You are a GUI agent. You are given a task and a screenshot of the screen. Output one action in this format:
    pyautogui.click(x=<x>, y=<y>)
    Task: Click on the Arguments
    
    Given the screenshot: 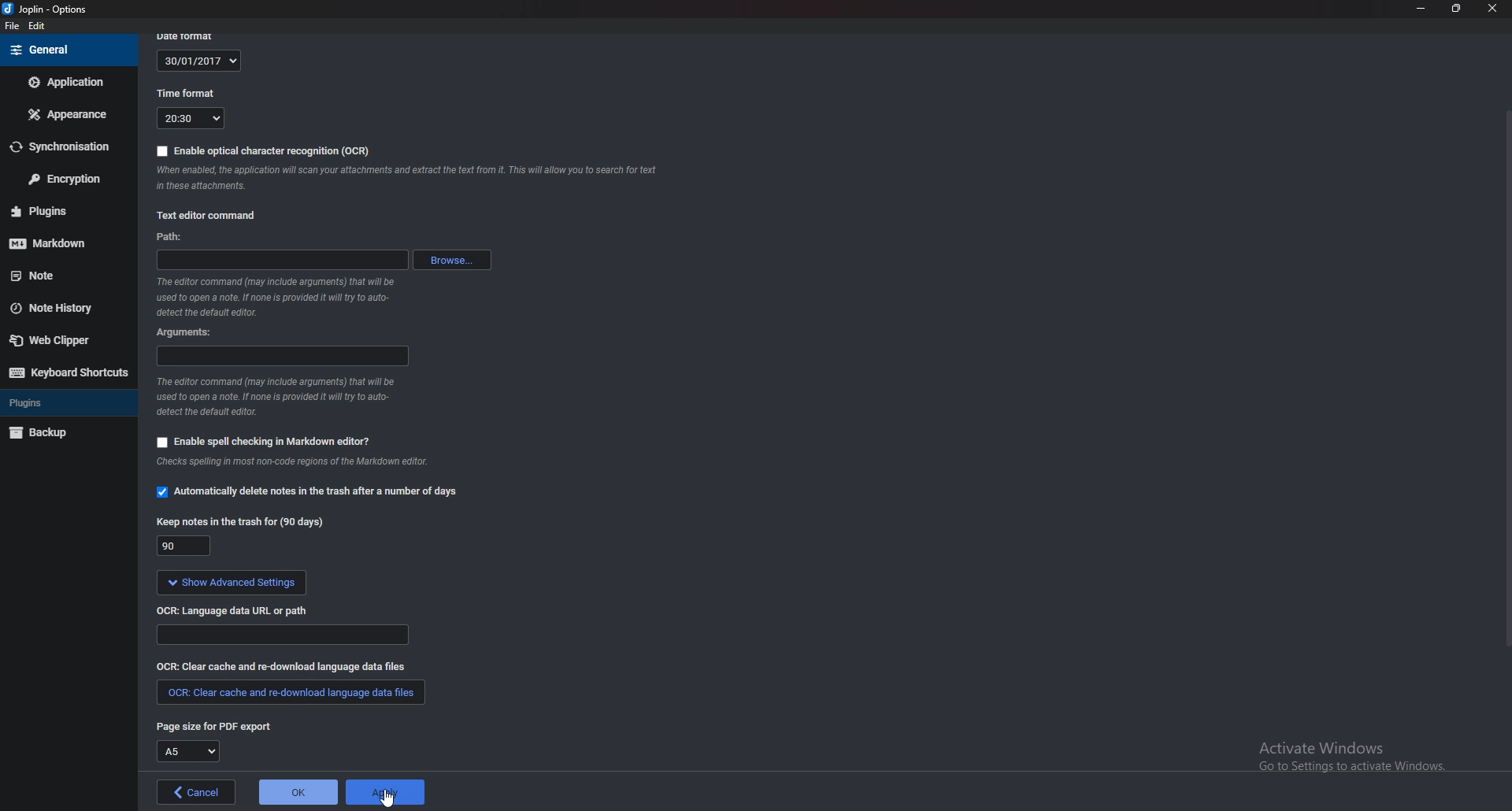 What is the action you would take?
    pyautogui.click(x=191, y=333)
    